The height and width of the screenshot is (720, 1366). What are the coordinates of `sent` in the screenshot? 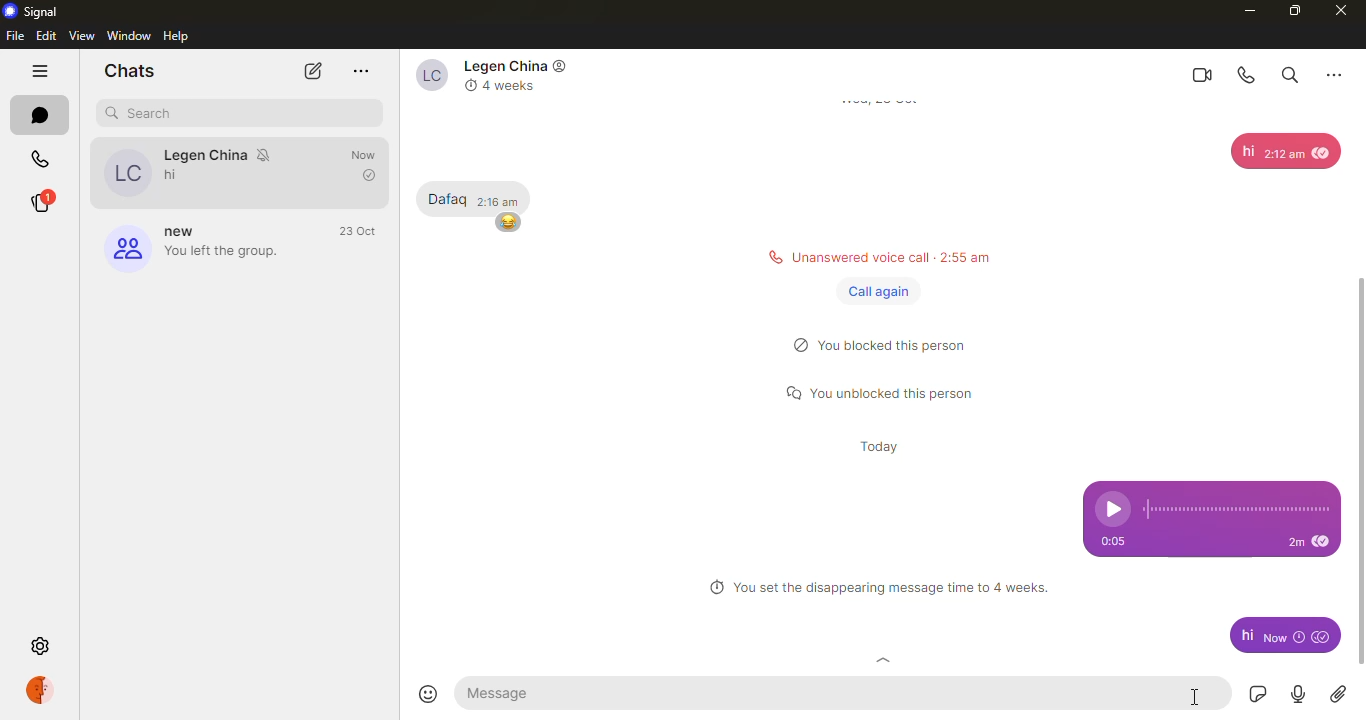 It's located at (1323, 636).